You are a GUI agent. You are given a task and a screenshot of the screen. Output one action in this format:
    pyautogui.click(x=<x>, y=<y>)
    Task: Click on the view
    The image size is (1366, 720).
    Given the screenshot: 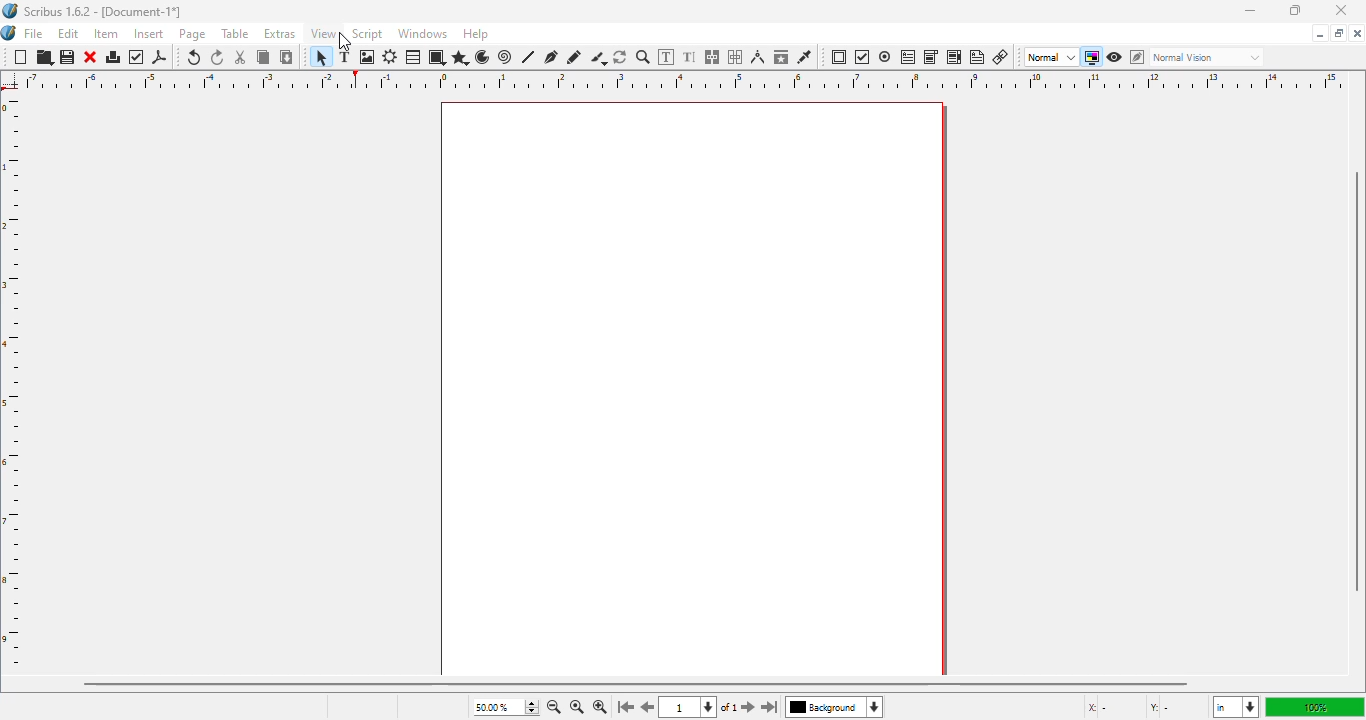 What is the action you would take?
    pyautogui.click(x=324, y=33)
    